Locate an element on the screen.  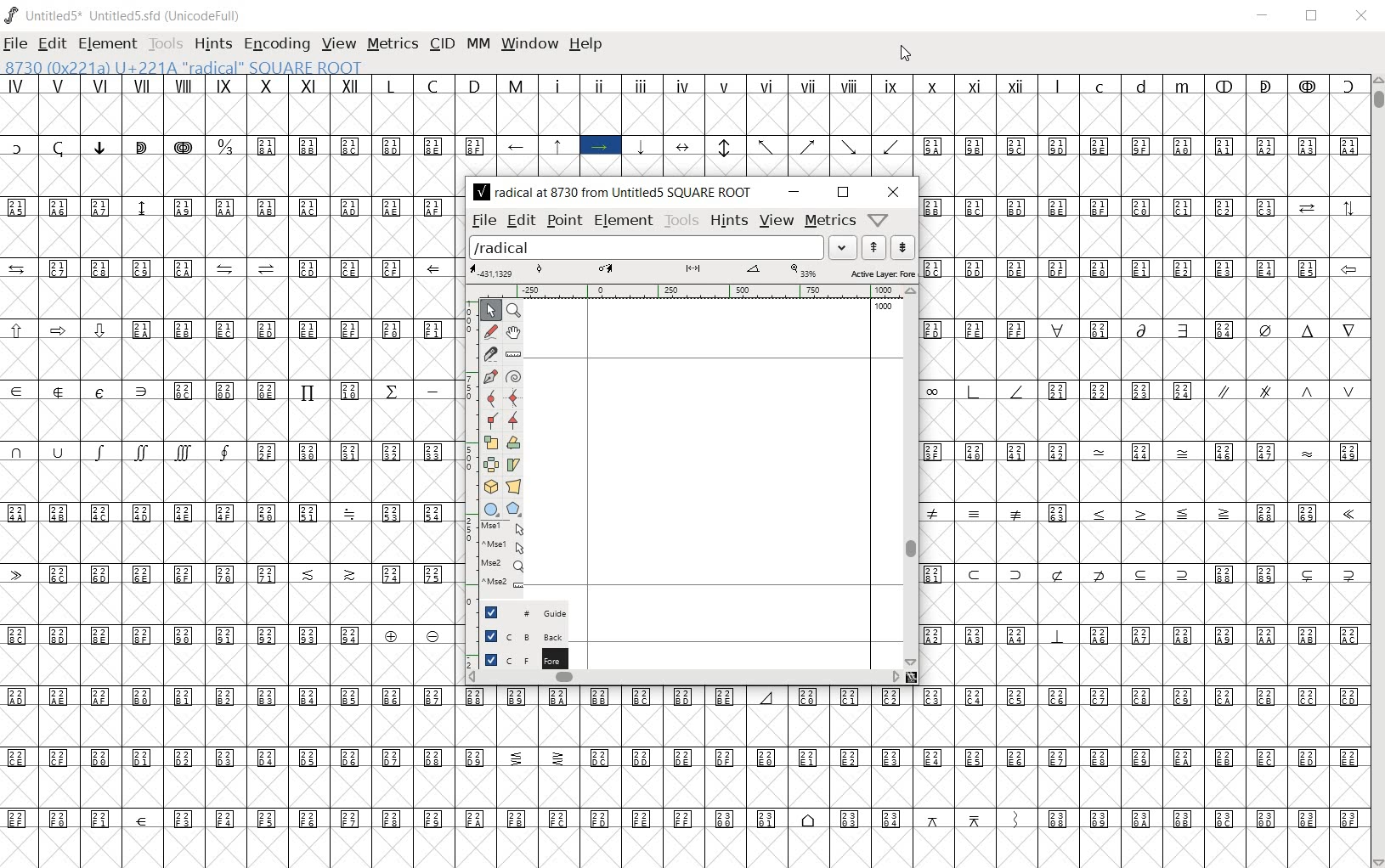
Glyph characters is located at coordinates (912, 777).